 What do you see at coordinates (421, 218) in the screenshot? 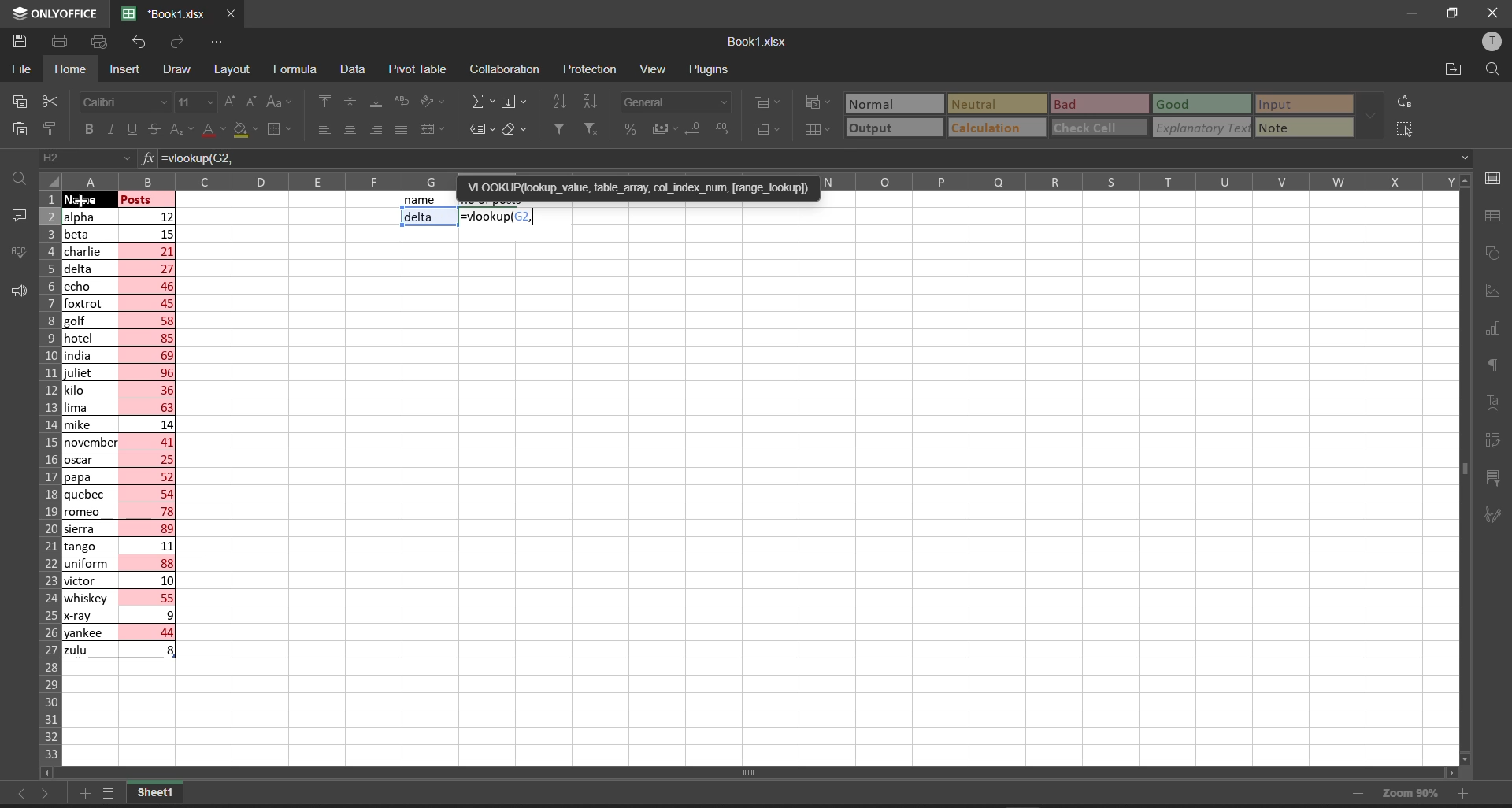
I see `delta` at bounding box center [421, 218].